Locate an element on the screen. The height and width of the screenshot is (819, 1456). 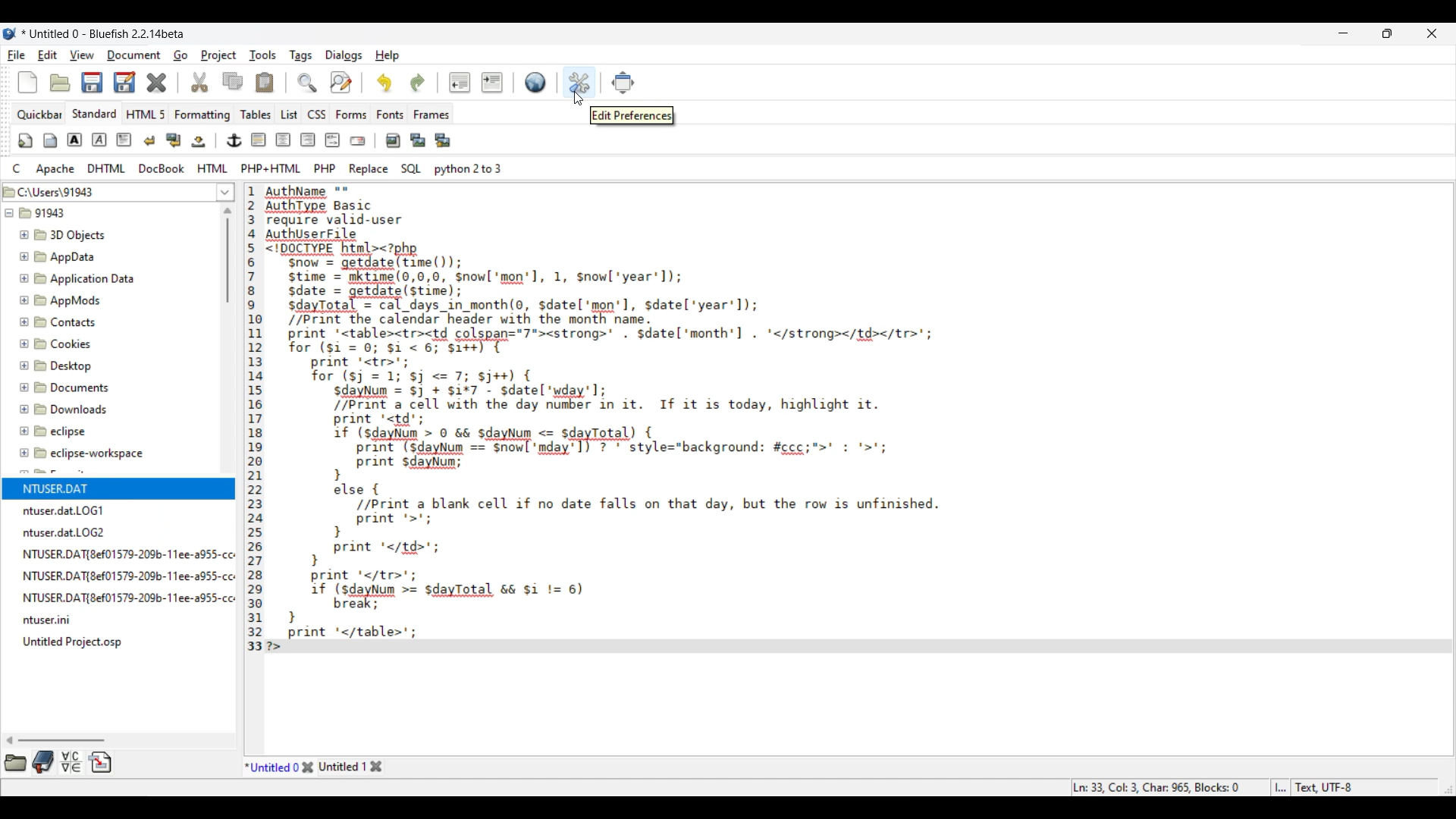
Move is located at coordinates (623, 83).